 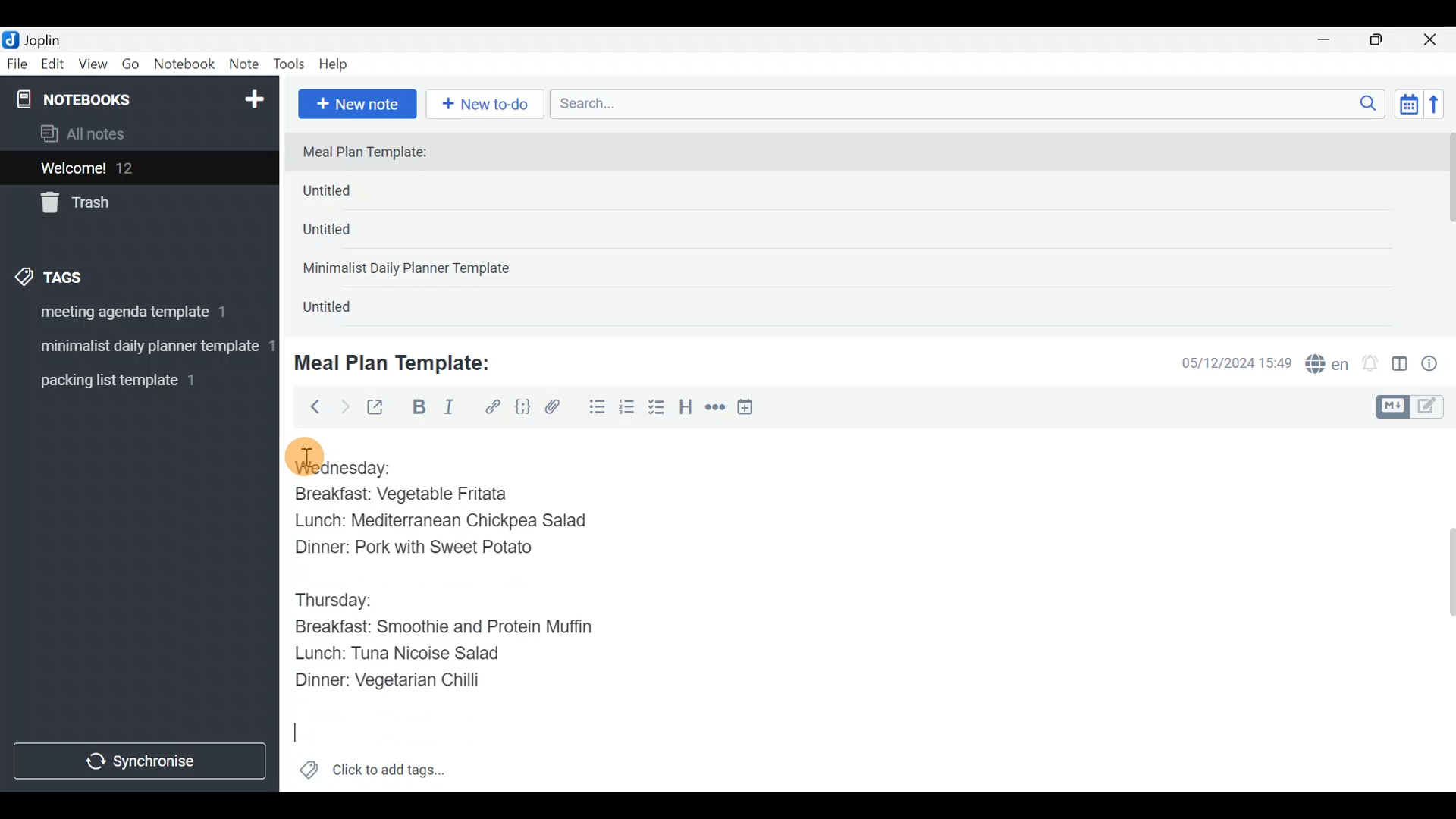 What do you see at coordinates (337, 598) in the screenshot?
I see `Thursday:` at bounding box center [337, 598].